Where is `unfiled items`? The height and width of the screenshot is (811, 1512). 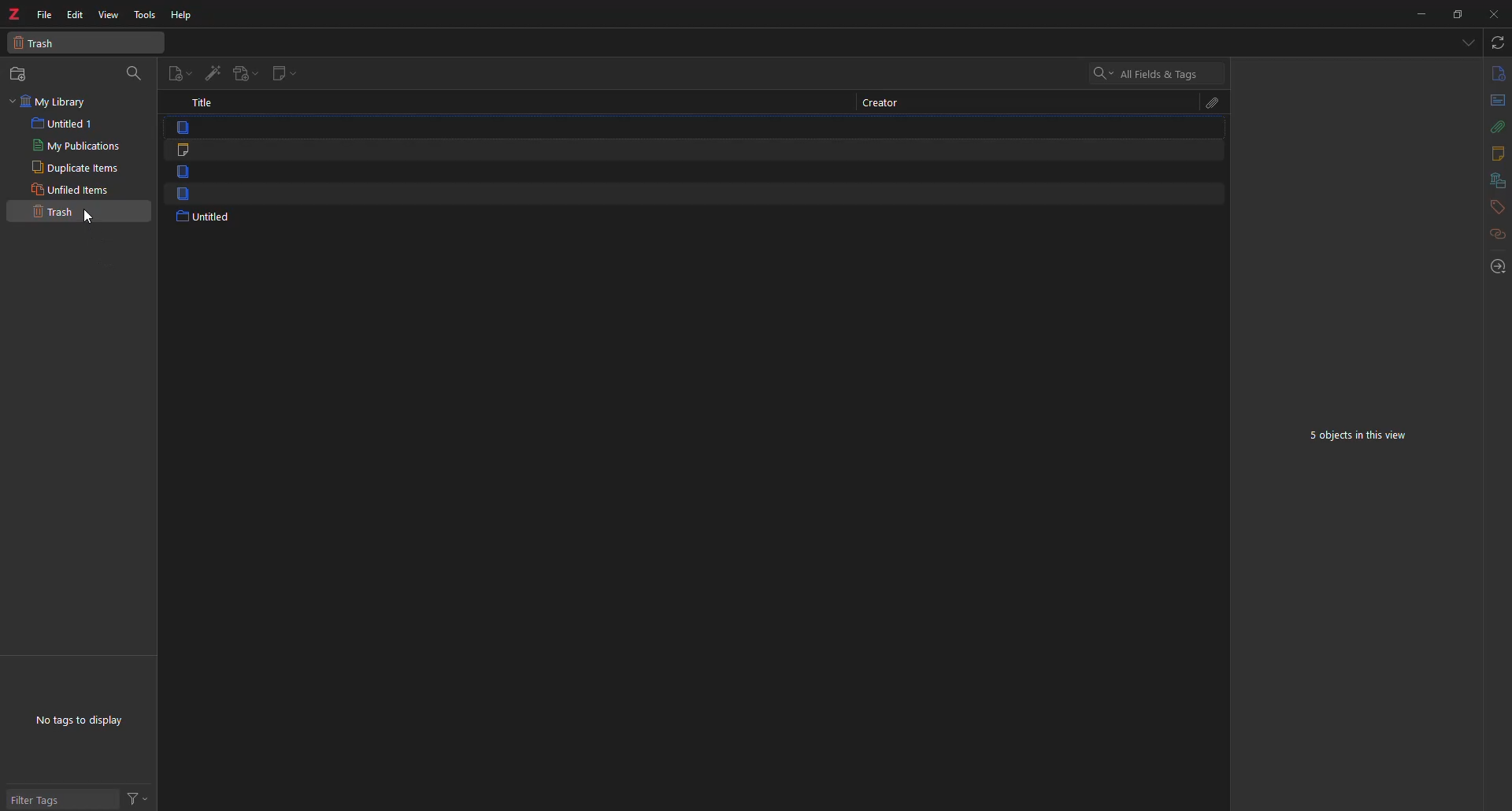
unfiled items is located at coordinates (73, 189).